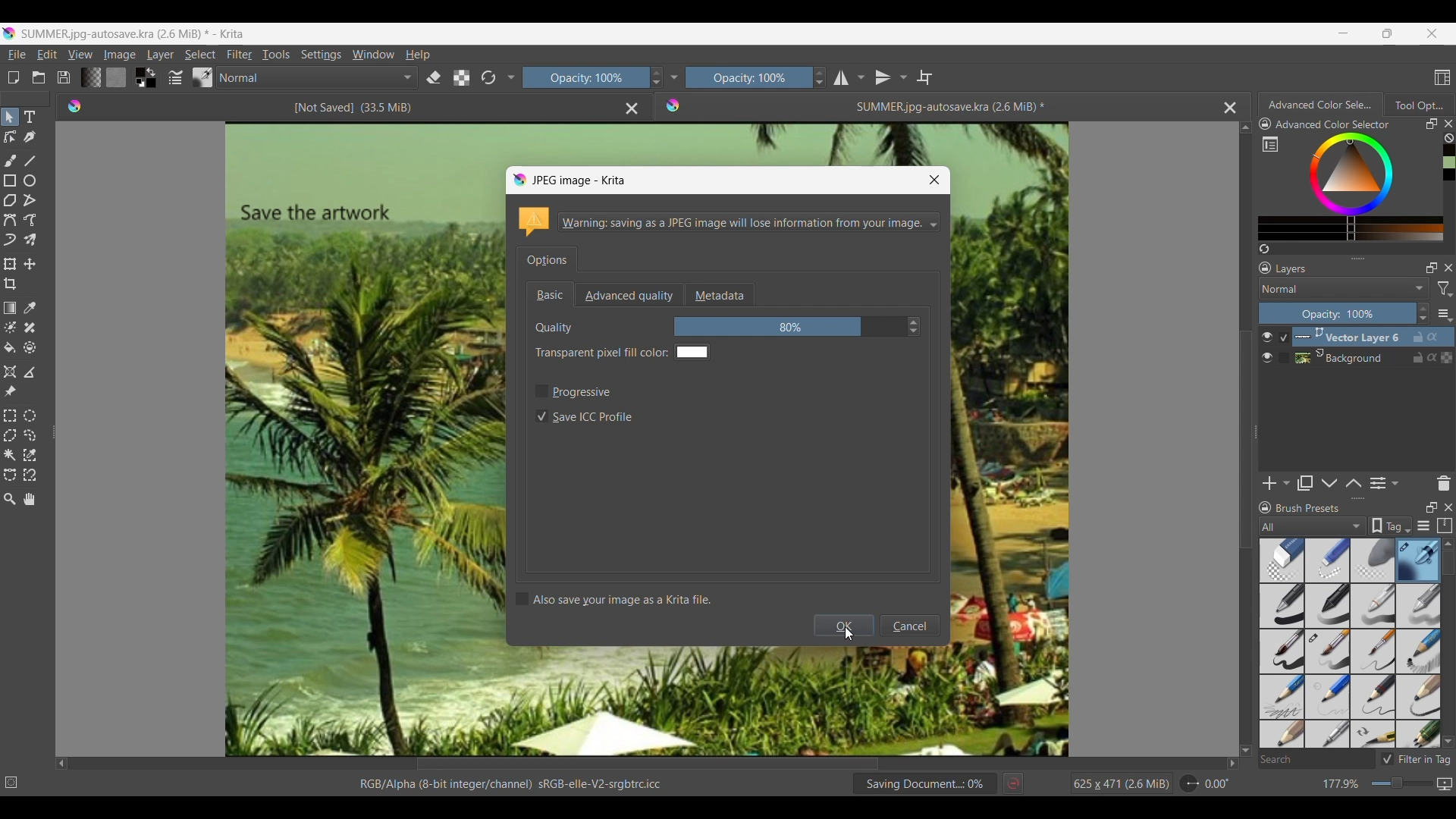 This screenshot has height=819, width=1456. What do you see at coordinates (1448, 544) in the screenshot?
I see `Quick slide to top` at bounding box center [1448, 544].